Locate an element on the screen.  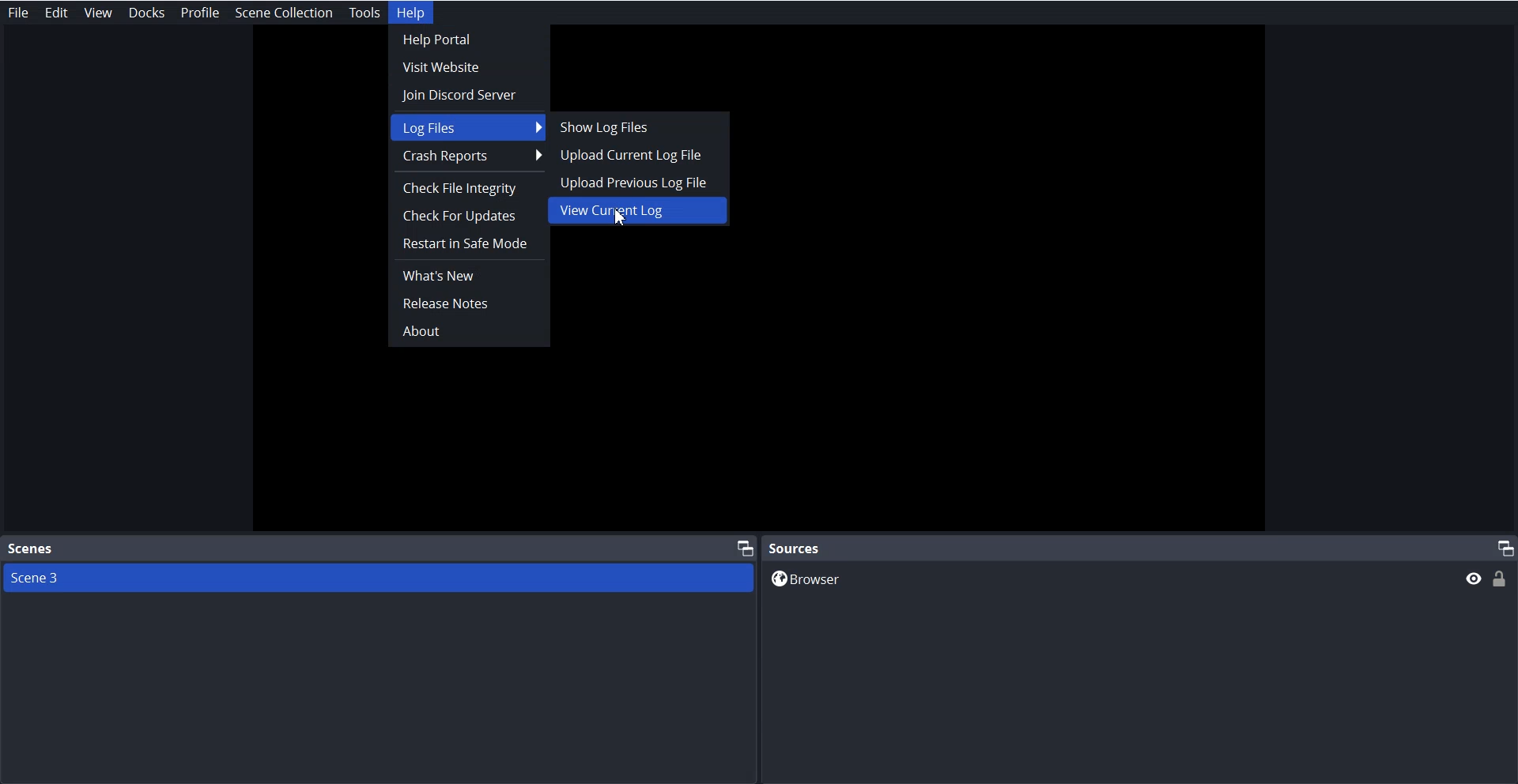
Upload Current Log File is located at coordinates (633, 153).